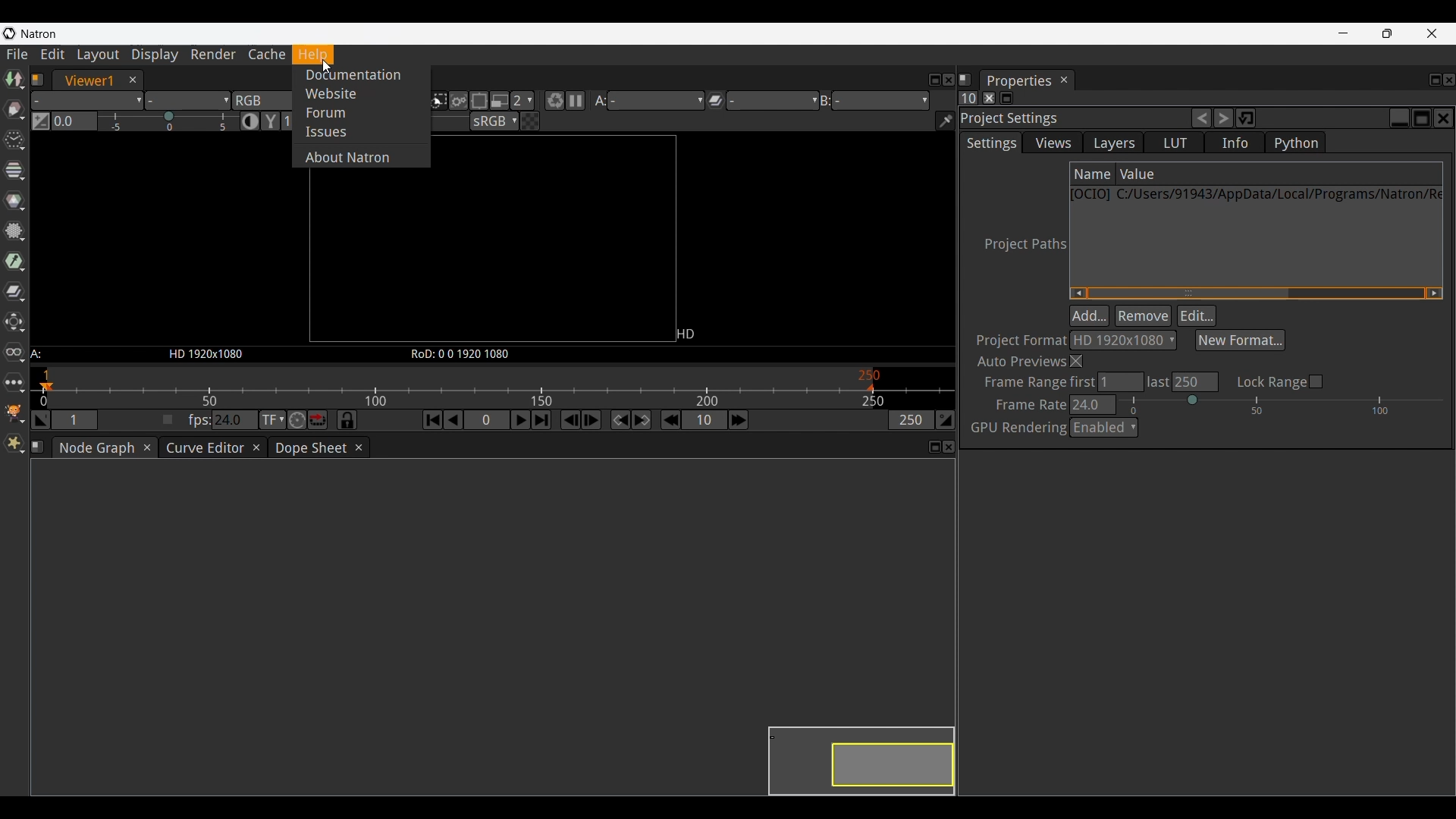 The image size is (1456, 819). I want to click on 10, so click(704, 419).